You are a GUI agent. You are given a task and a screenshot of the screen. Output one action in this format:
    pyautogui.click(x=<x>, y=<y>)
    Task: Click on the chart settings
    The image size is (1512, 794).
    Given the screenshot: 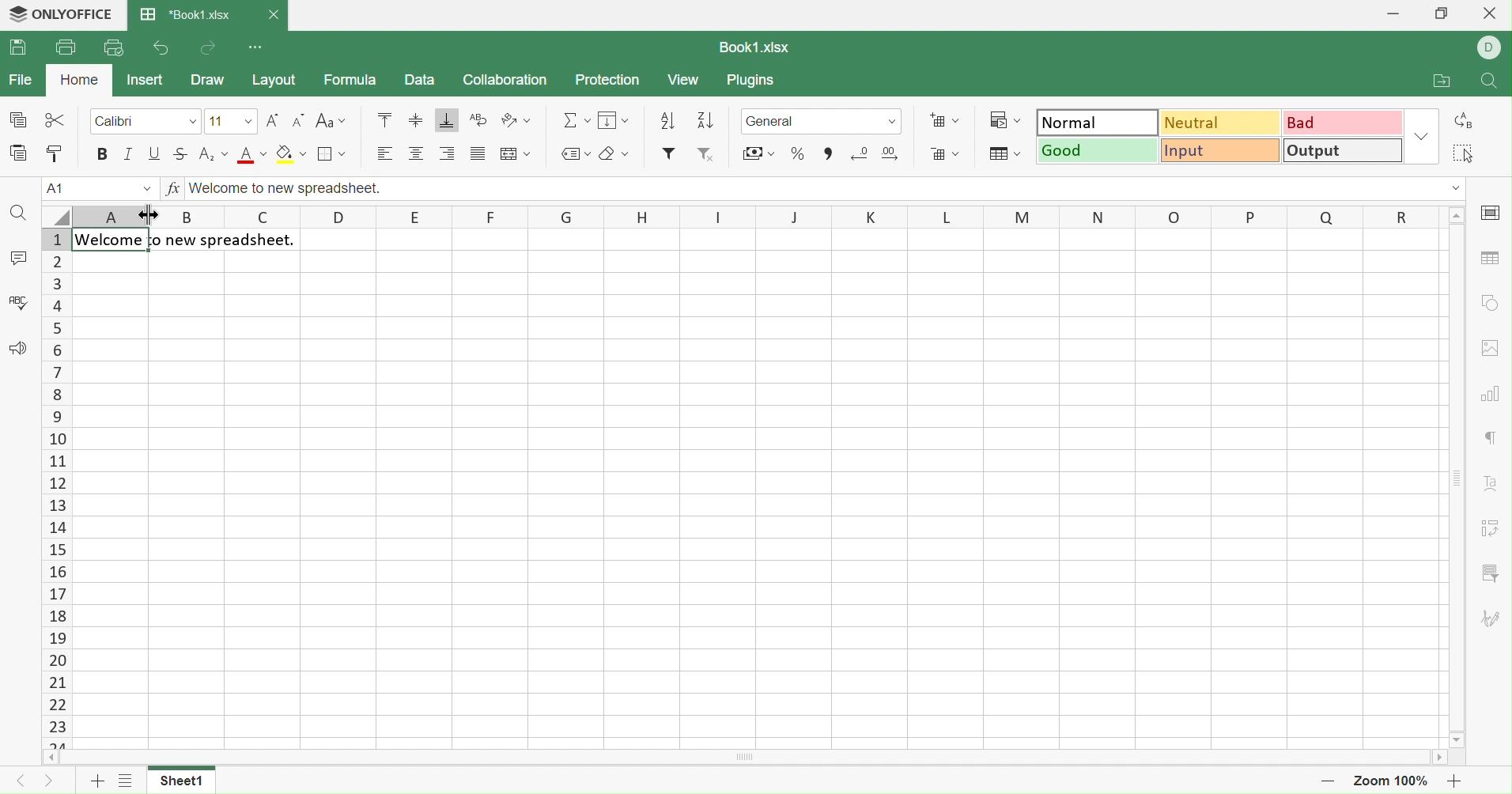 What is the action you would take?
    pyautogui.click(x=1491, y=391)
    